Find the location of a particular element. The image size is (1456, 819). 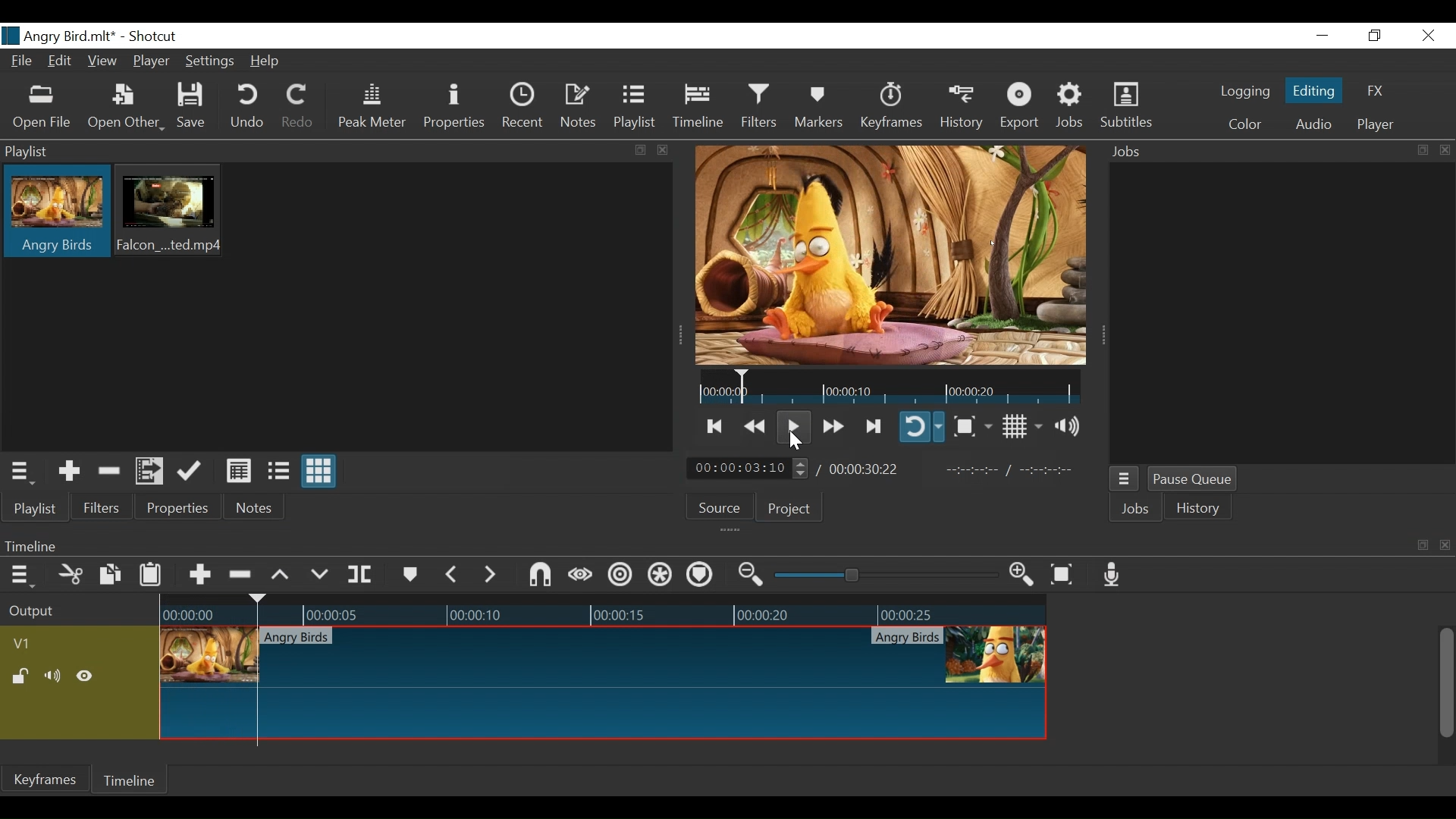

Append is located at coordinates (201, 573).